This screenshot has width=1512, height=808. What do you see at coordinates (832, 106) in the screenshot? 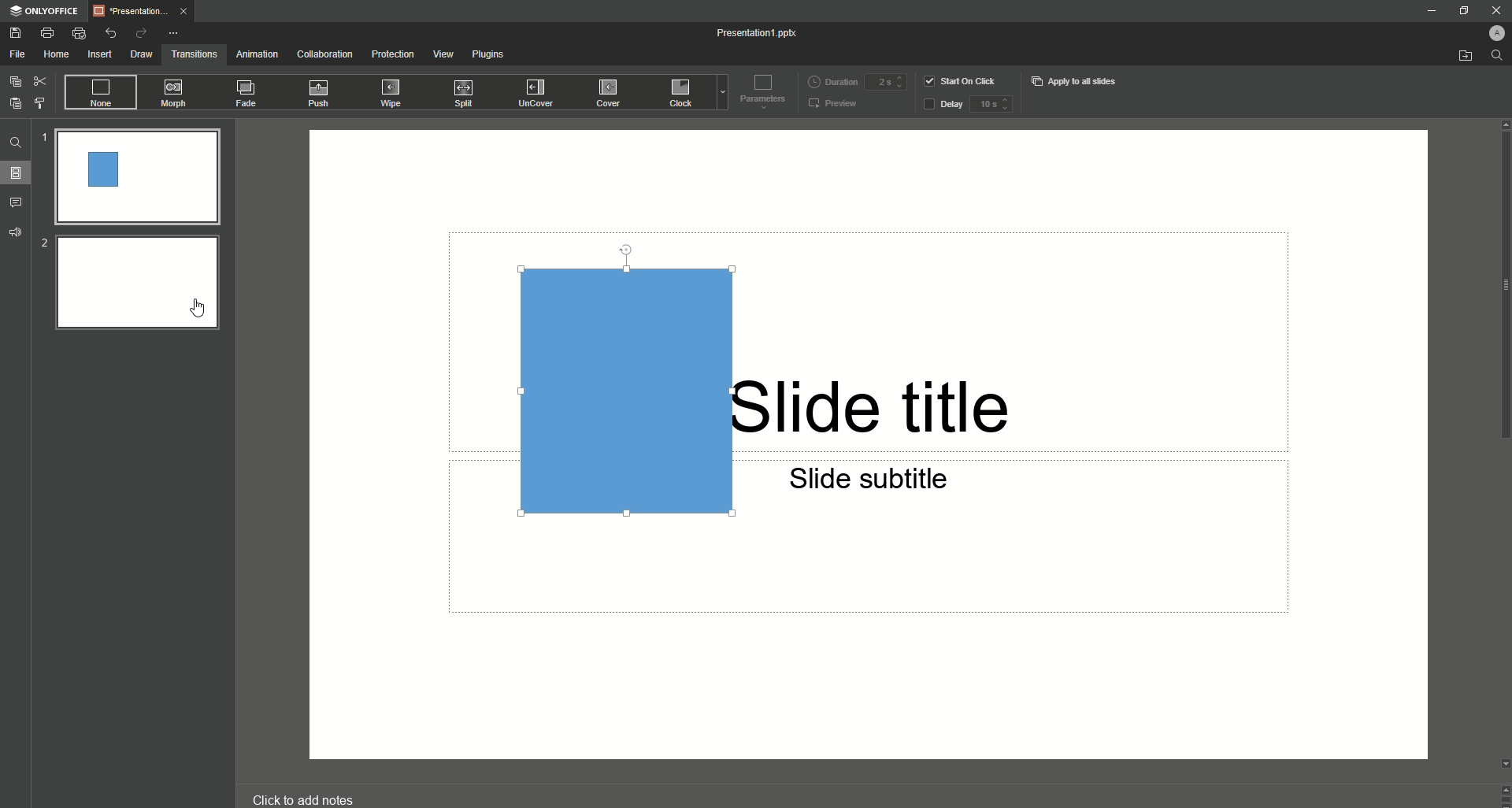
I see `Preview` at bounding box center [832, 106].